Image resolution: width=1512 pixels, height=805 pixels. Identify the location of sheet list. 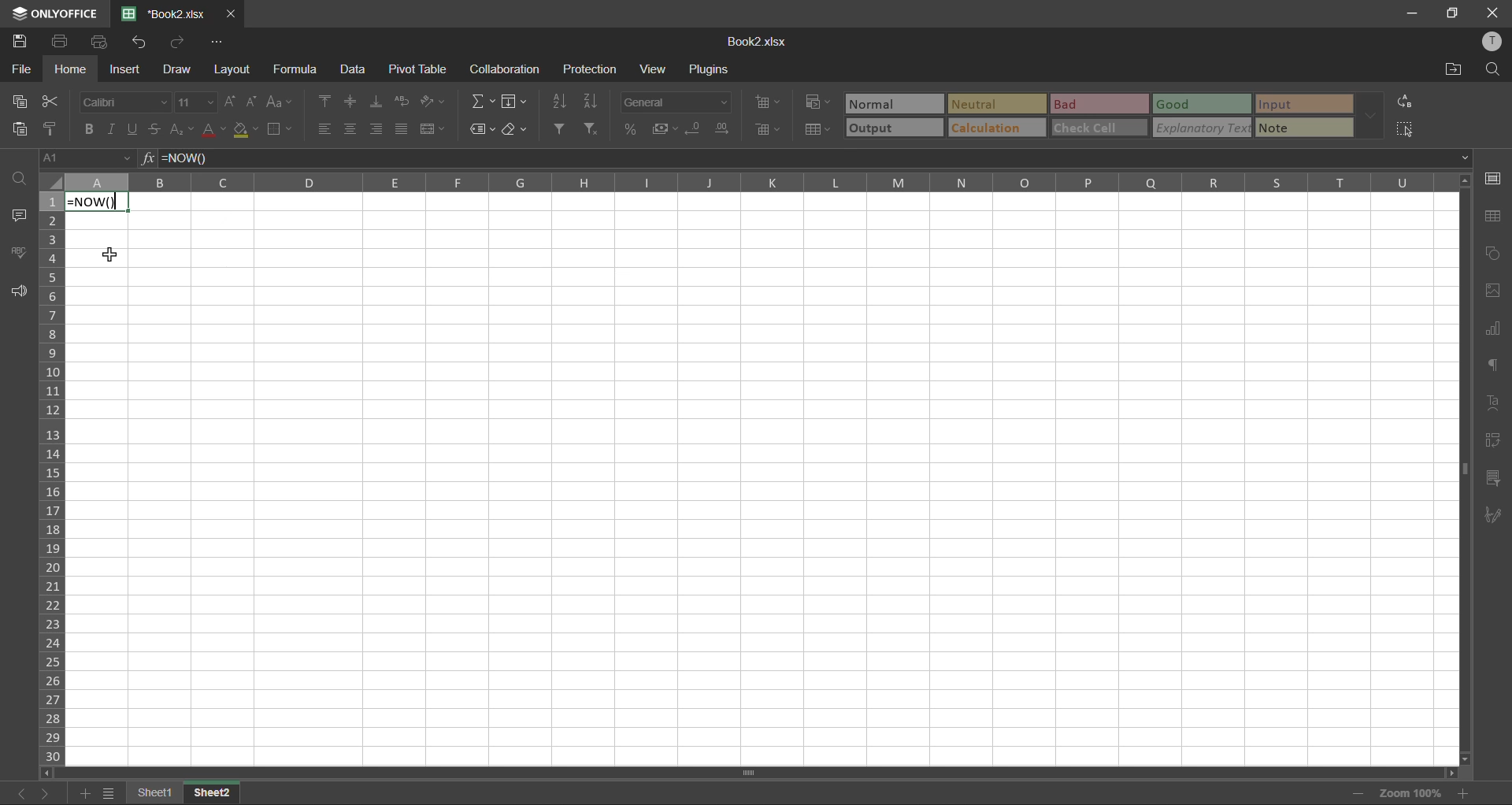
(109, 794).